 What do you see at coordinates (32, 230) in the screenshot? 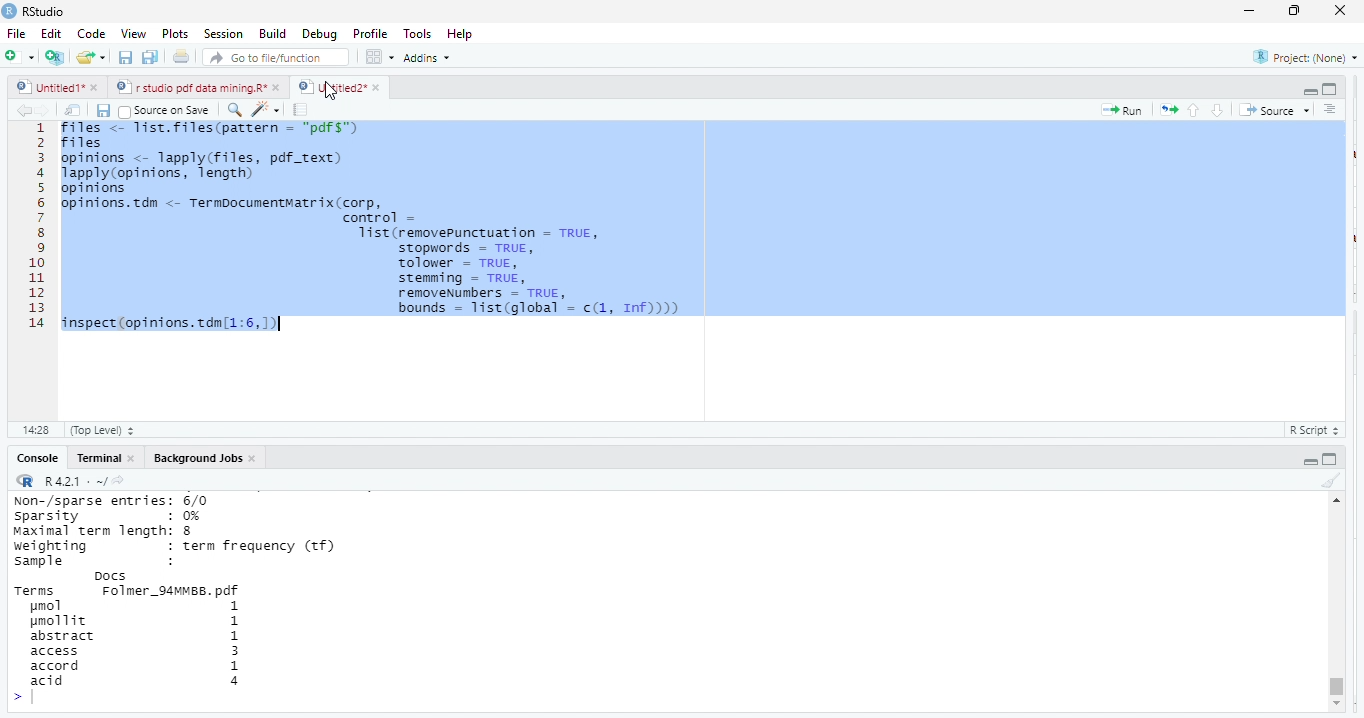
I see `+
2
3
a
5
6
7
3
9
10
11
12
13
14` at bounding box center [32, 230].